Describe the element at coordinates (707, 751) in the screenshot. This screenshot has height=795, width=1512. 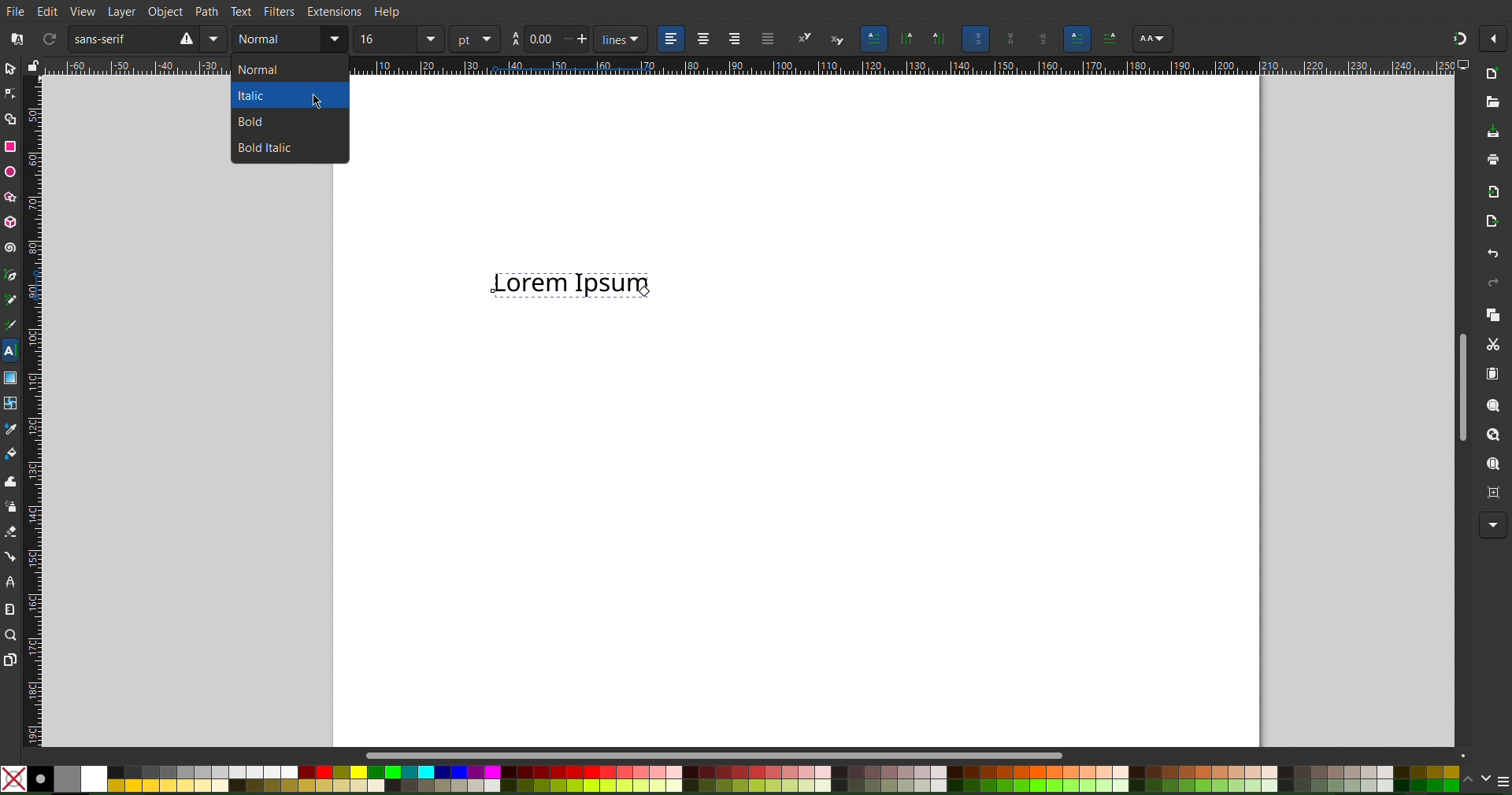
I see `Scroll bar` at that location.